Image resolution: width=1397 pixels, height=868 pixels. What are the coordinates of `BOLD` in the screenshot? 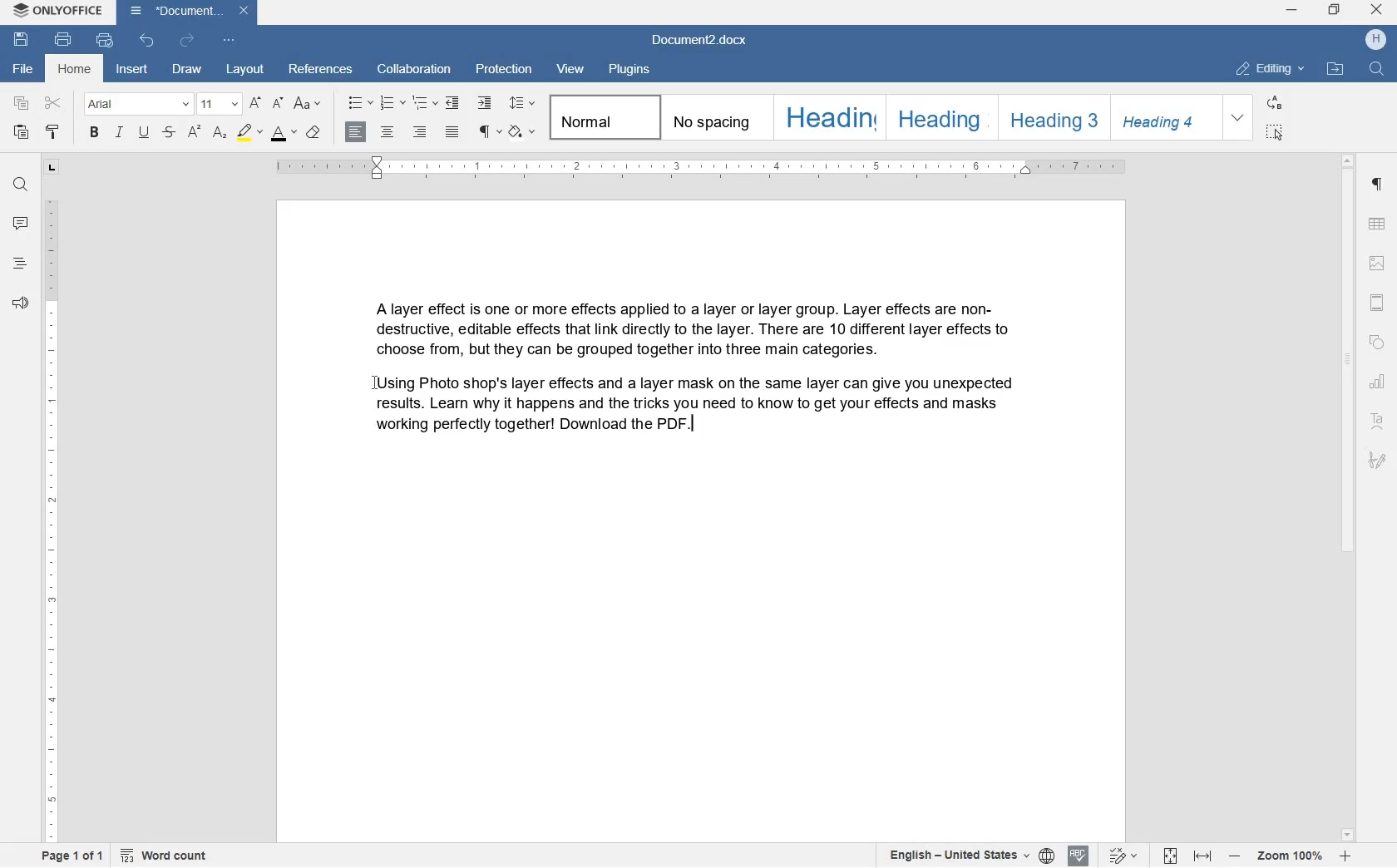 It's located at (94, 133).